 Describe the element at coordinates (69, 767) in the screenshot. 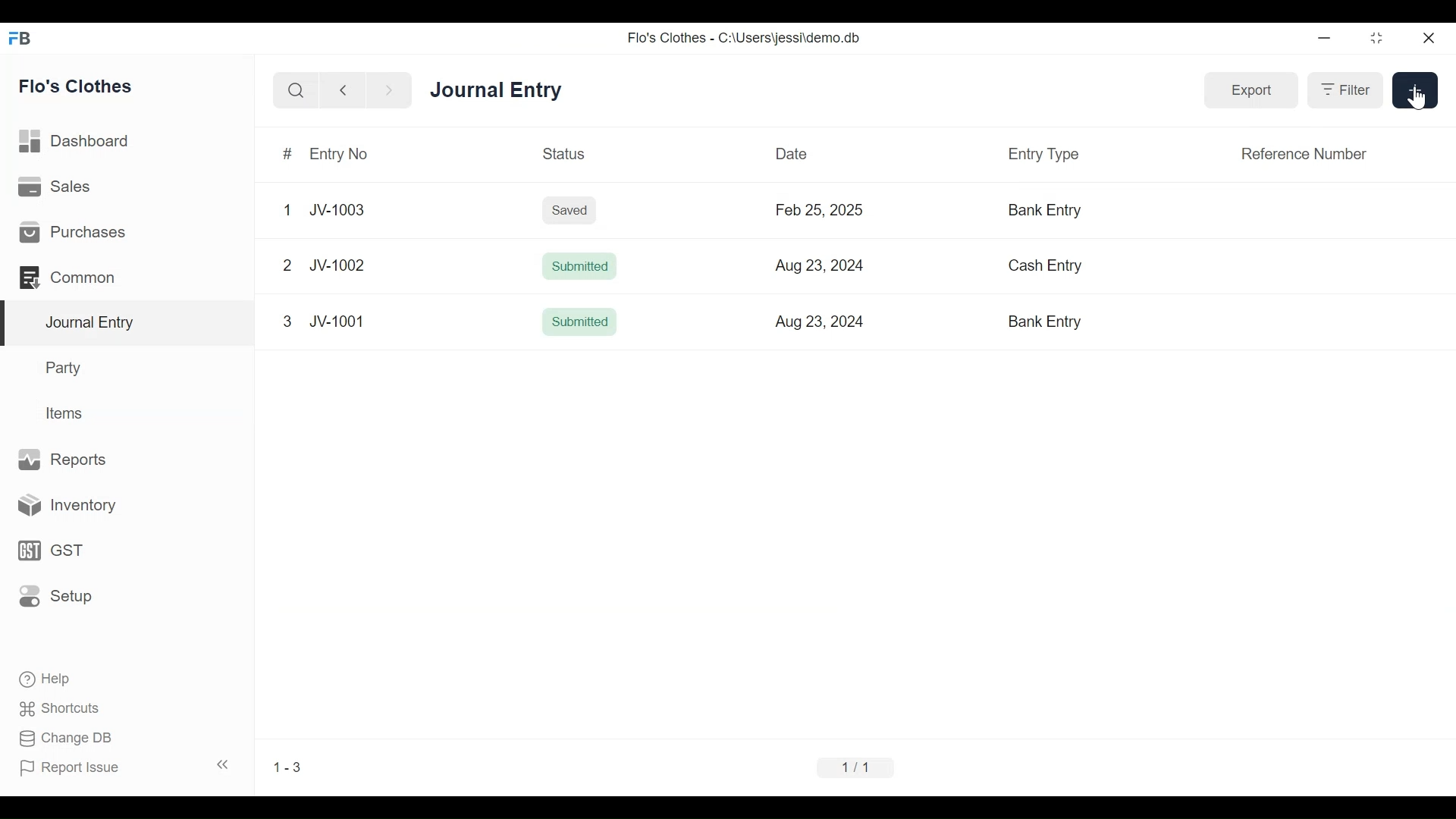

I see `Report Issue` at that location.